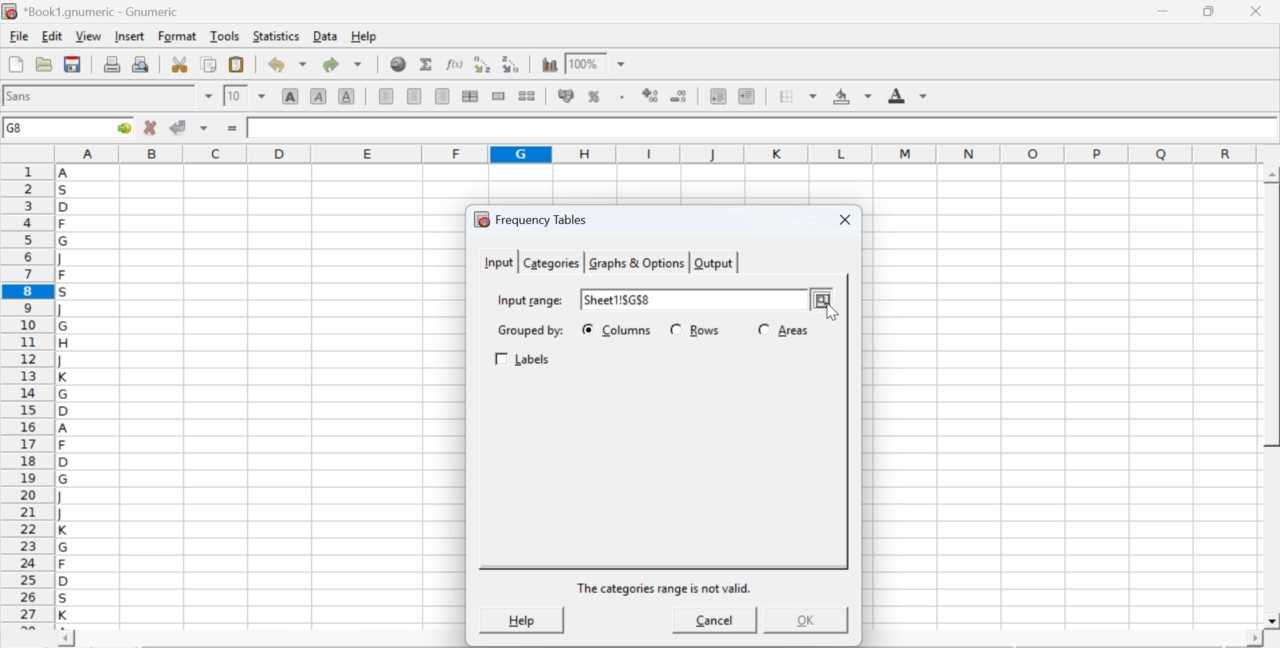 The width and height of the screenshot is (1280, 648). What do you see at coordinates (620, 97) in the screenshot?
I see `Set the format of the selected cells to include a thousands separator` at bounding box center [620, 97].